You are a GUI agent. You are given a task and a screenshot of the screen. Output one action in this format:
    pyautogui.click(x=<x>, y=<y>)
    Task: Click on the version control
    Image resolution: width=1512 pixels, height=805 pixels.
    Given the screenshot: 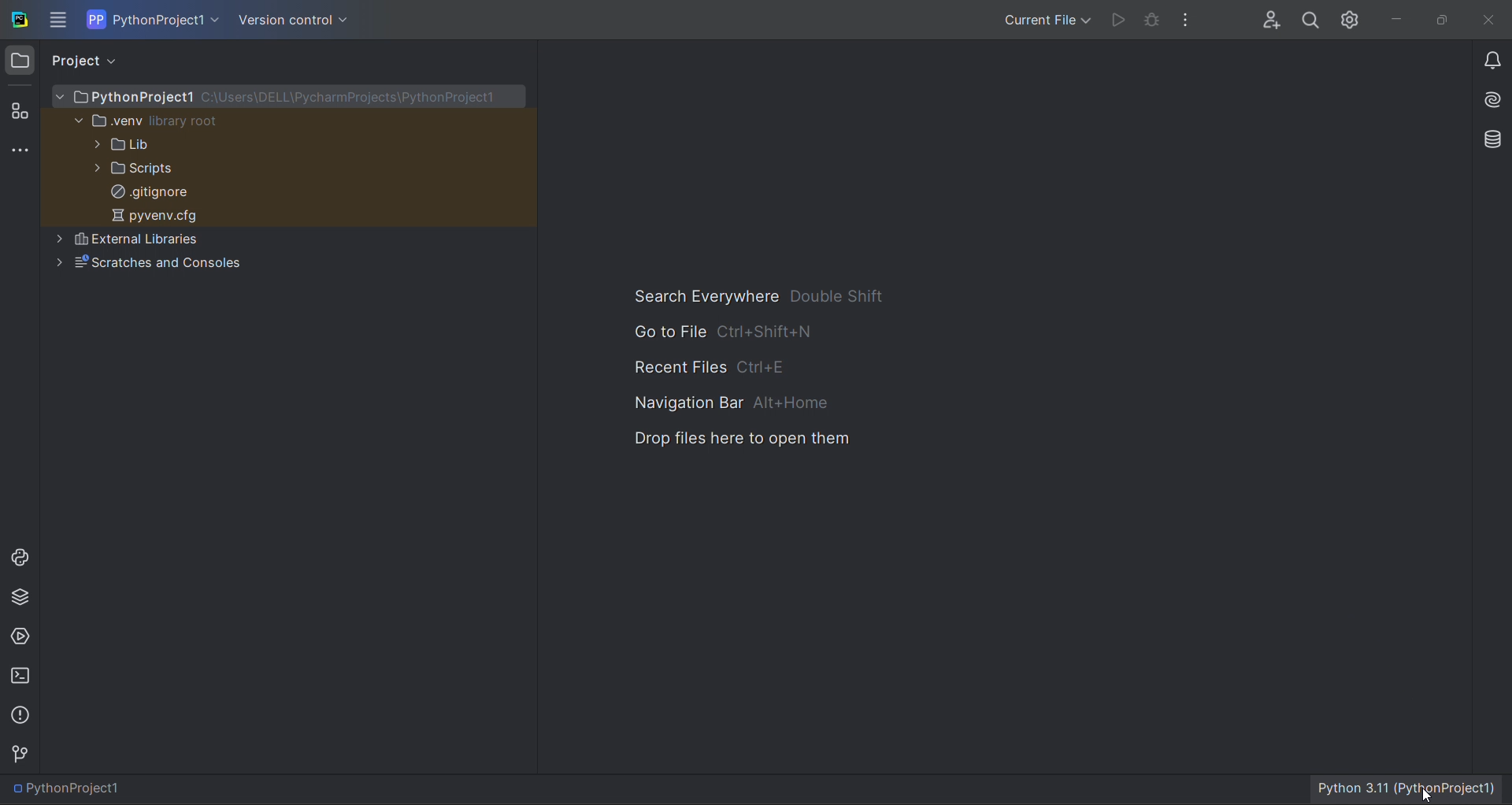 What is the action you would take?
    pyautogui.click(x=22, y=754)
    